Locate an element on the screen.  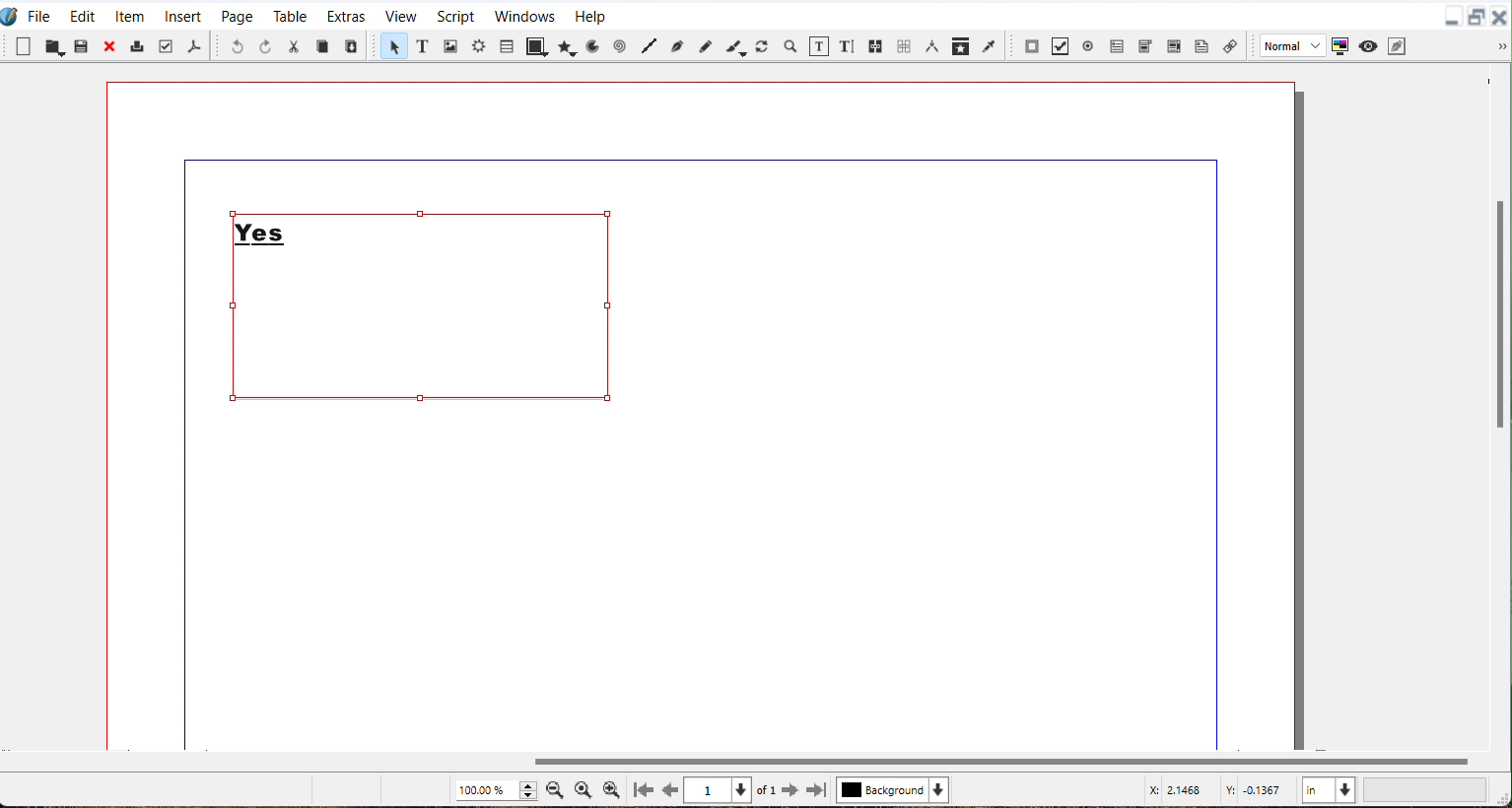
Copy is located at coordinates (323, 45).